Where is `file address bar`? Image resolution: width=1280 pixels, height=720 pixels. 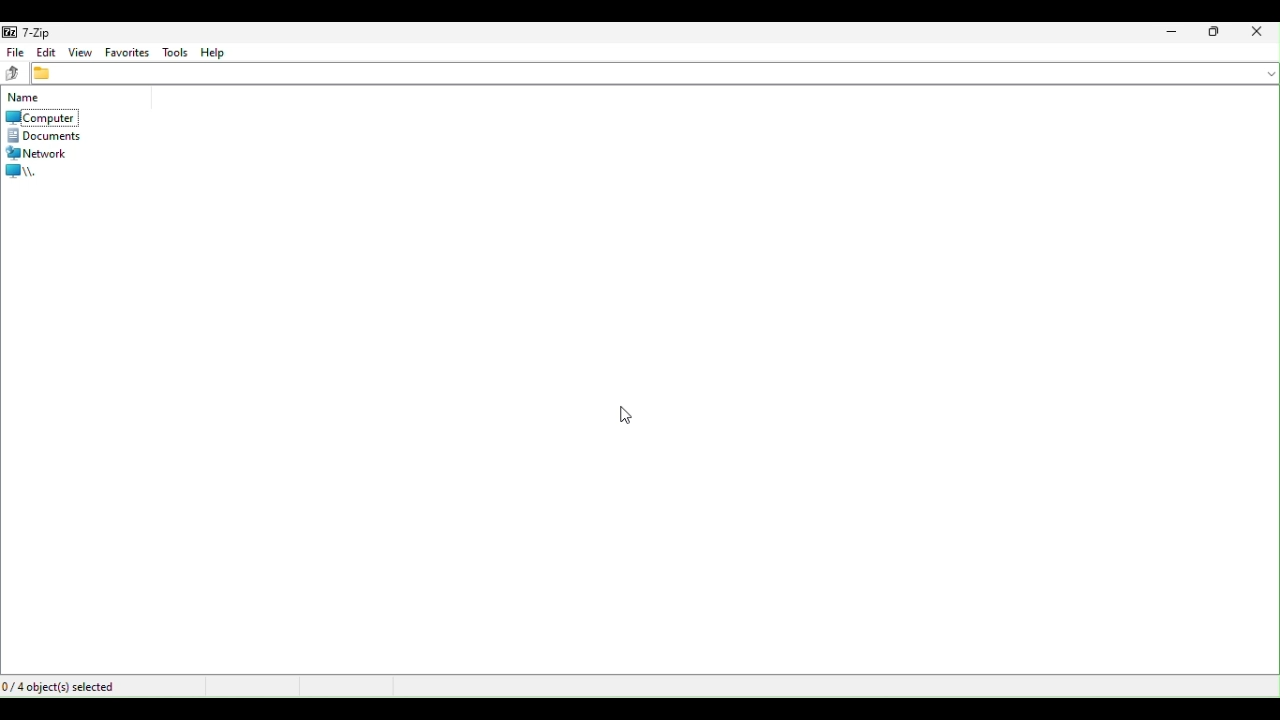
file address bar is located at coordinates (656, 75).